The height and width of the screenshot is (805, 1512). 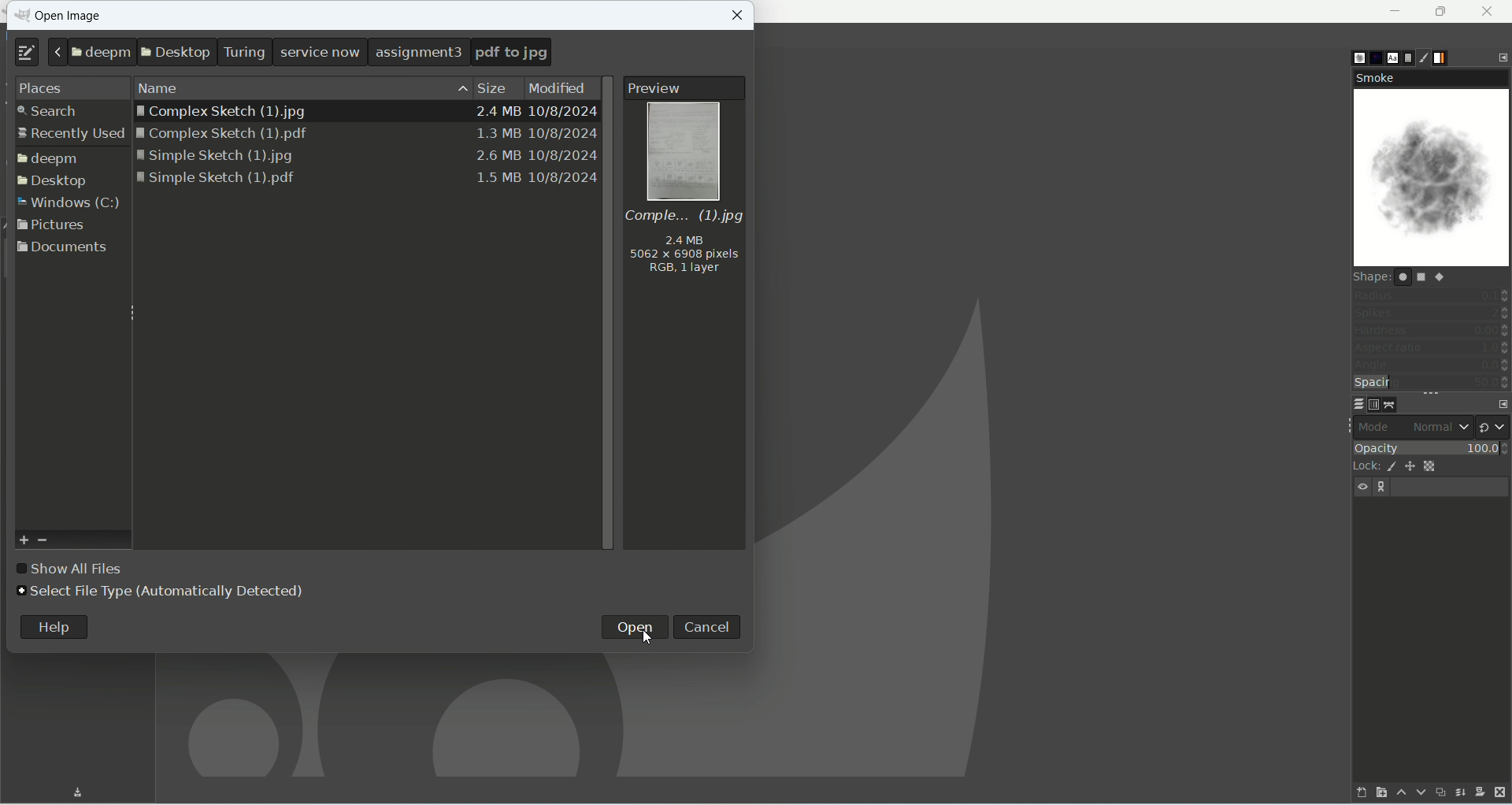 What do you see at coordinates (62, 250) in the screenshot?
I see `documents` at bounding box center [62, 250].